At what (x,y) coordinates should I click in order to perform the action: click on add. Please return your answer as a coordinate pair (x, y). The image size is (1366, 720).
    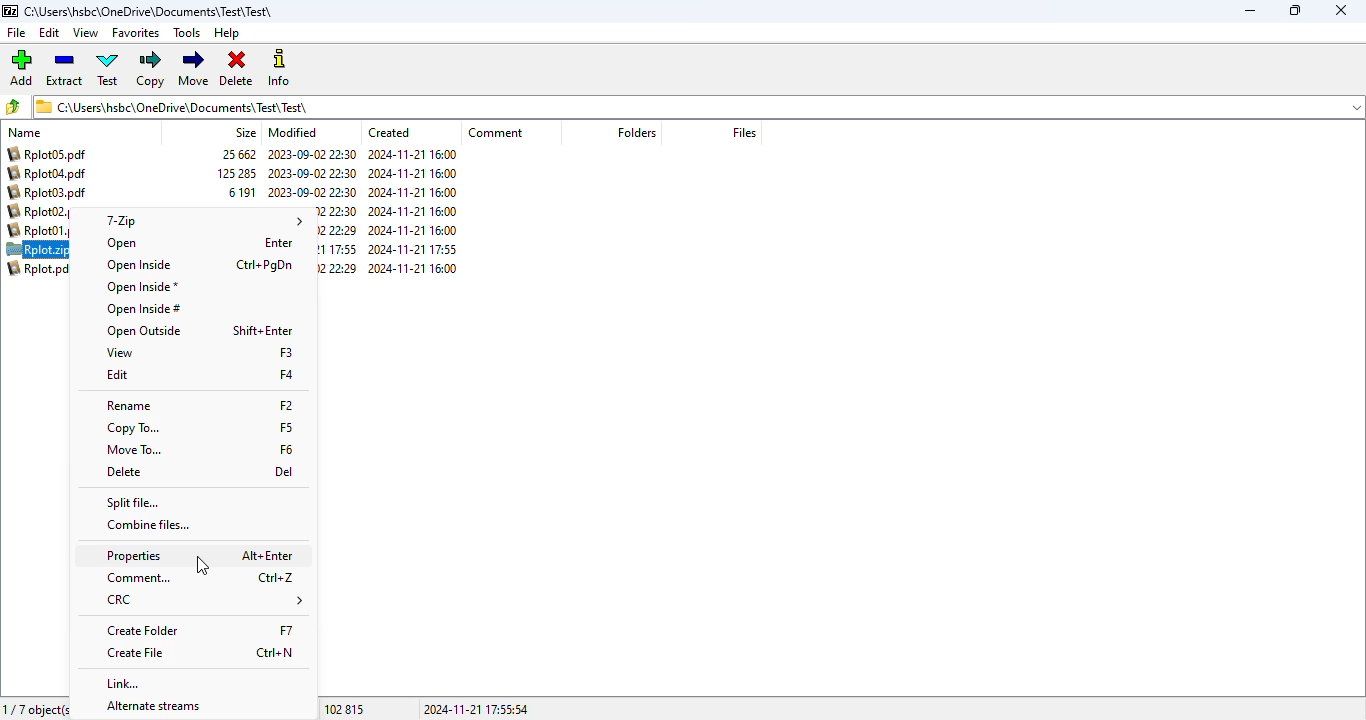
    Looking at the image, I should click on (22, 67).